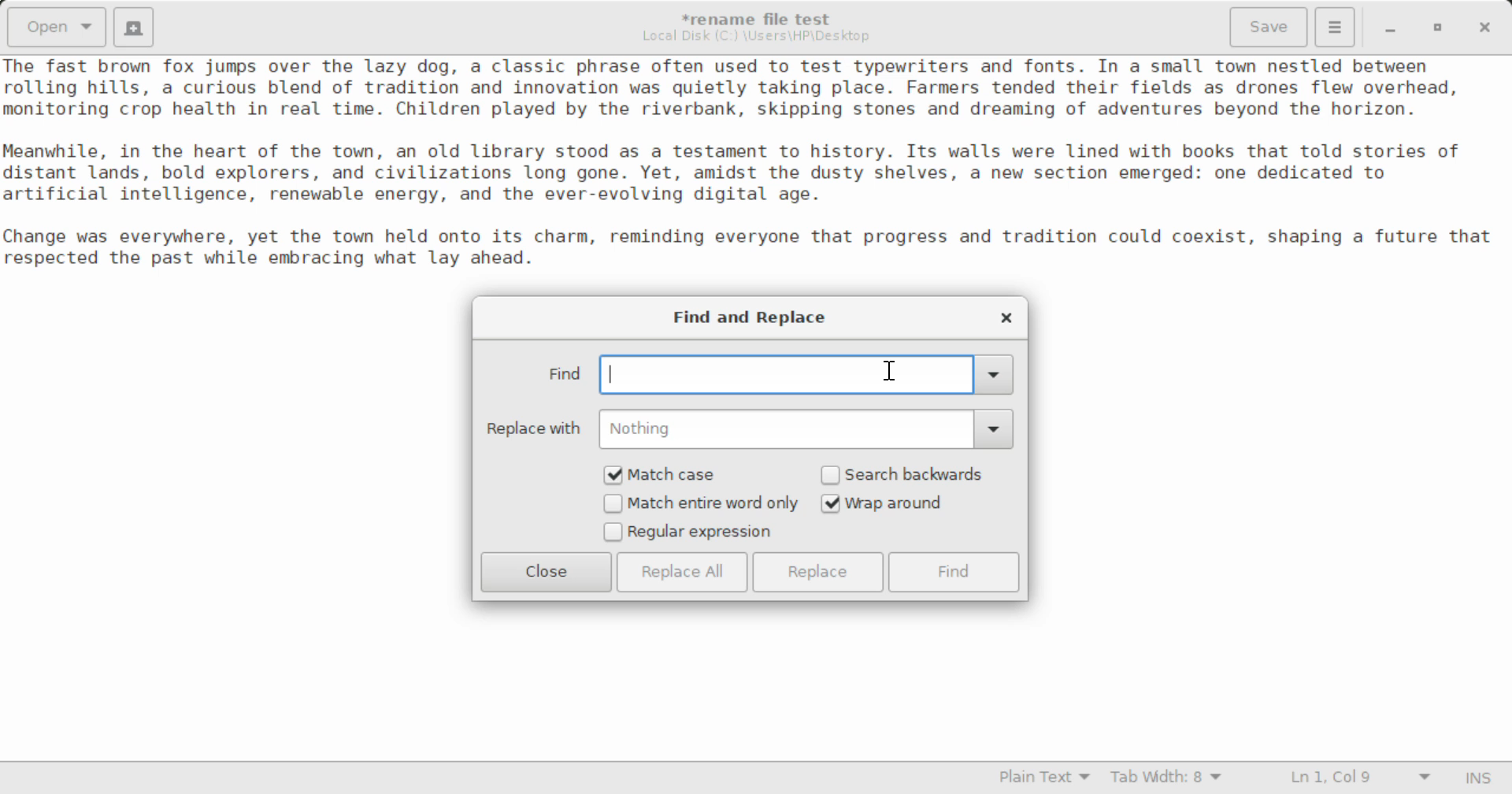 This screenshot has height=794, width=1512. Describe the element at coordinates (1482, 776) in the screenshot. I see `Input Mode` at that location.